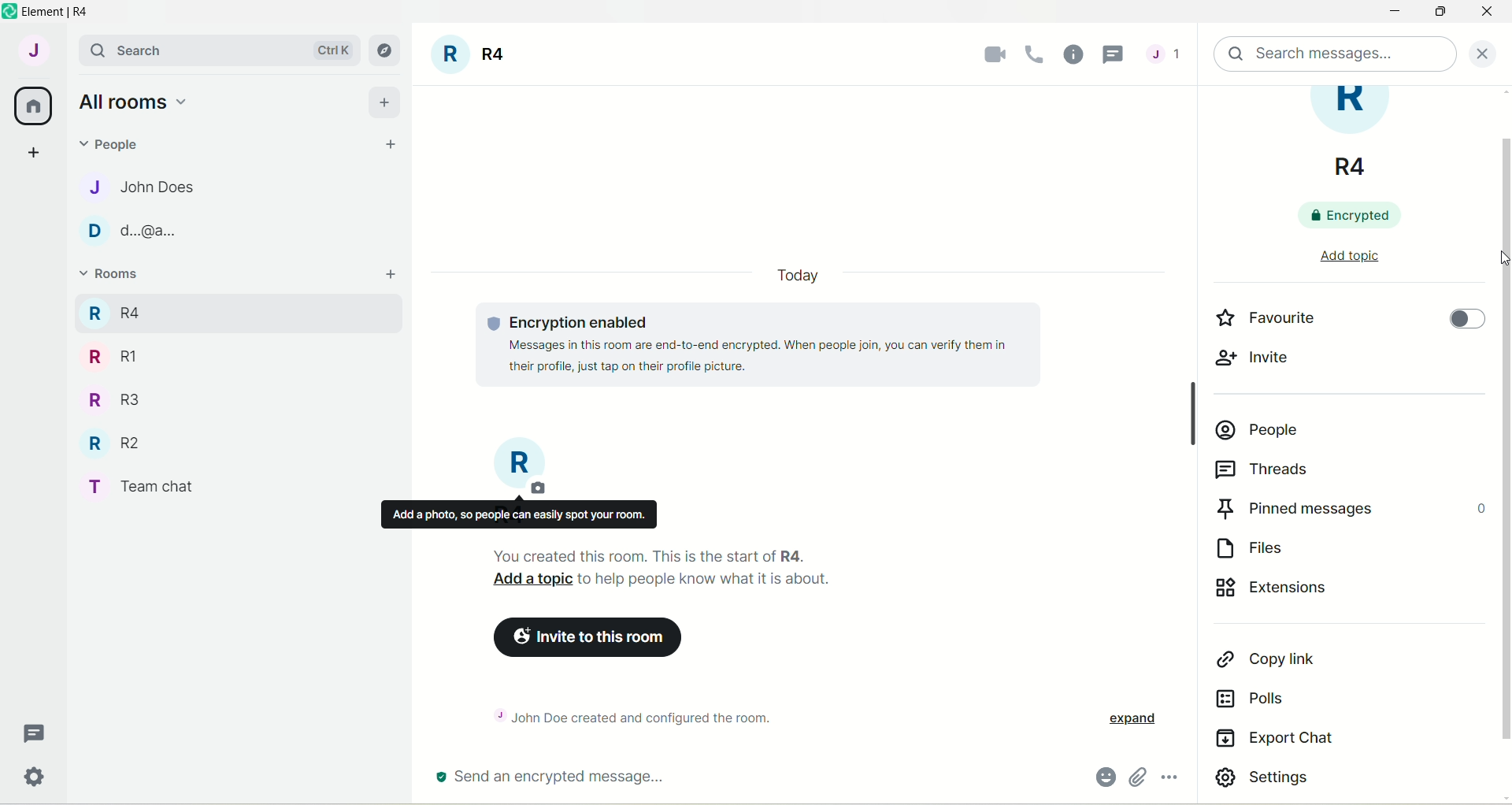 This screenshot has width=1512, height=805. What do you see at coordinates (37, 780) in the screenshot?
I see `settings` at bounding box center [37, 780].